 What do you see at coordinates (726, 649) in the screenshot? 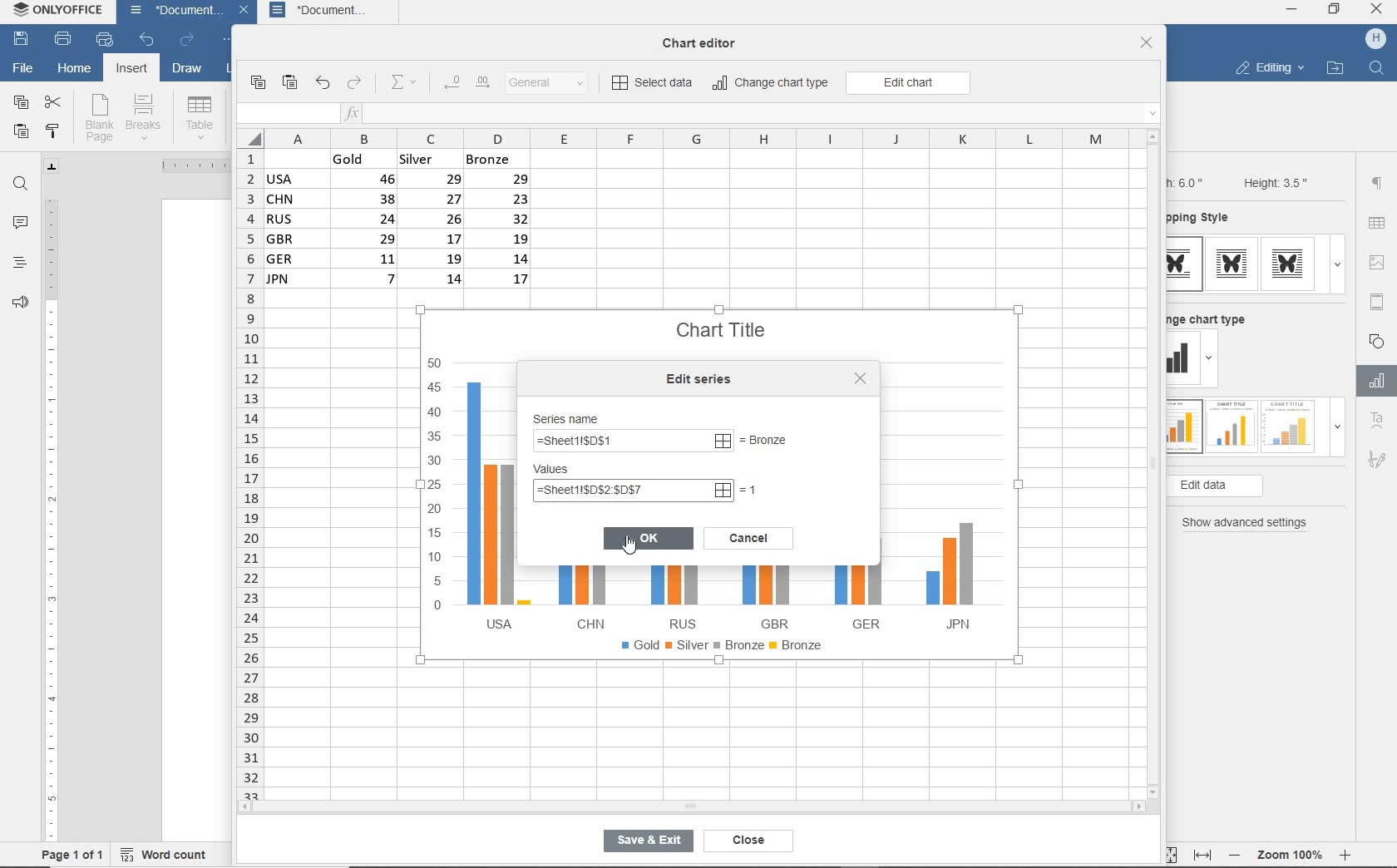
I see `legend` at bounding box center [726, 649].